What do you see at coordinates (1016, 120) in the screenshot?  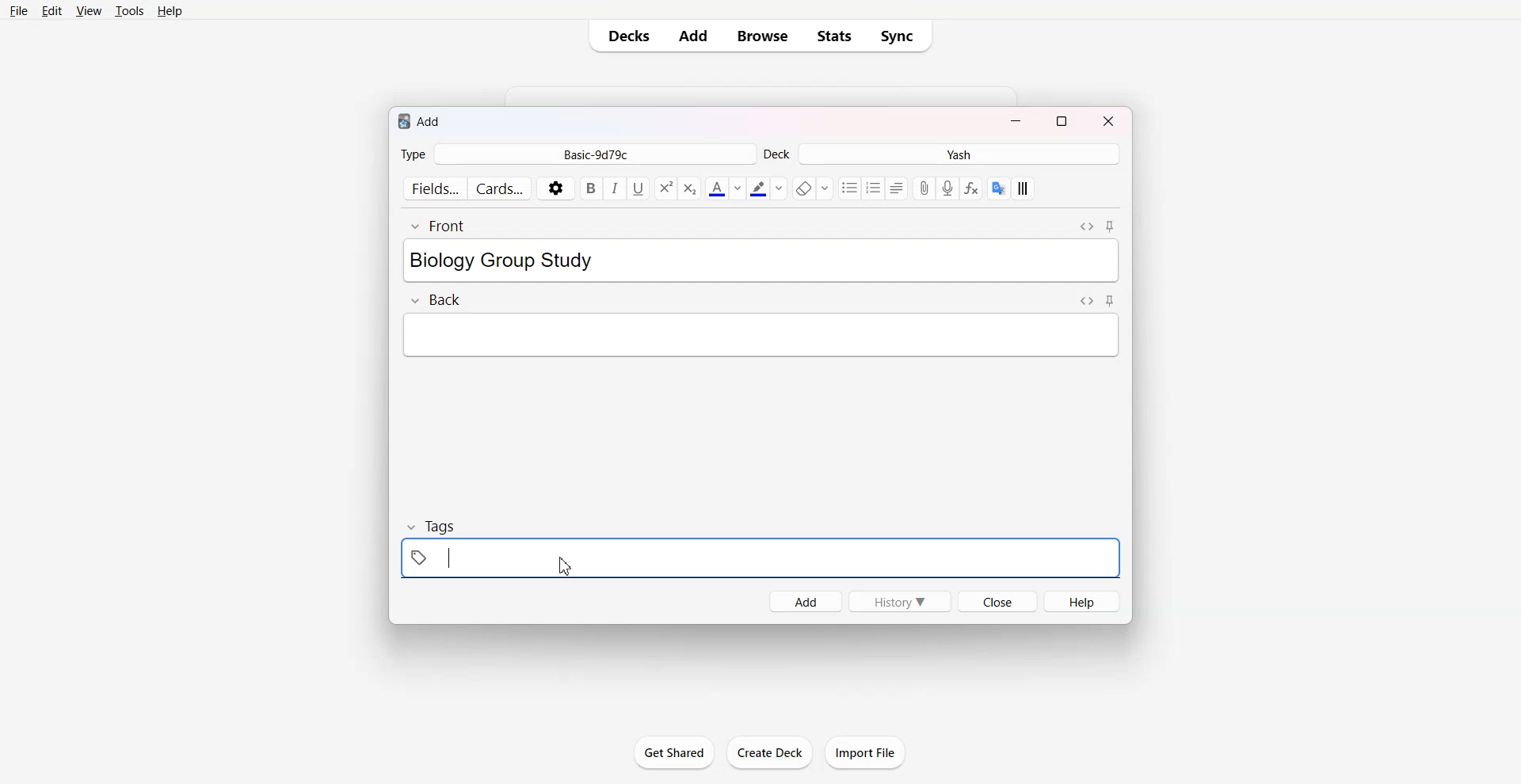 I see `Minimize` at bounding box center [1016, 120].